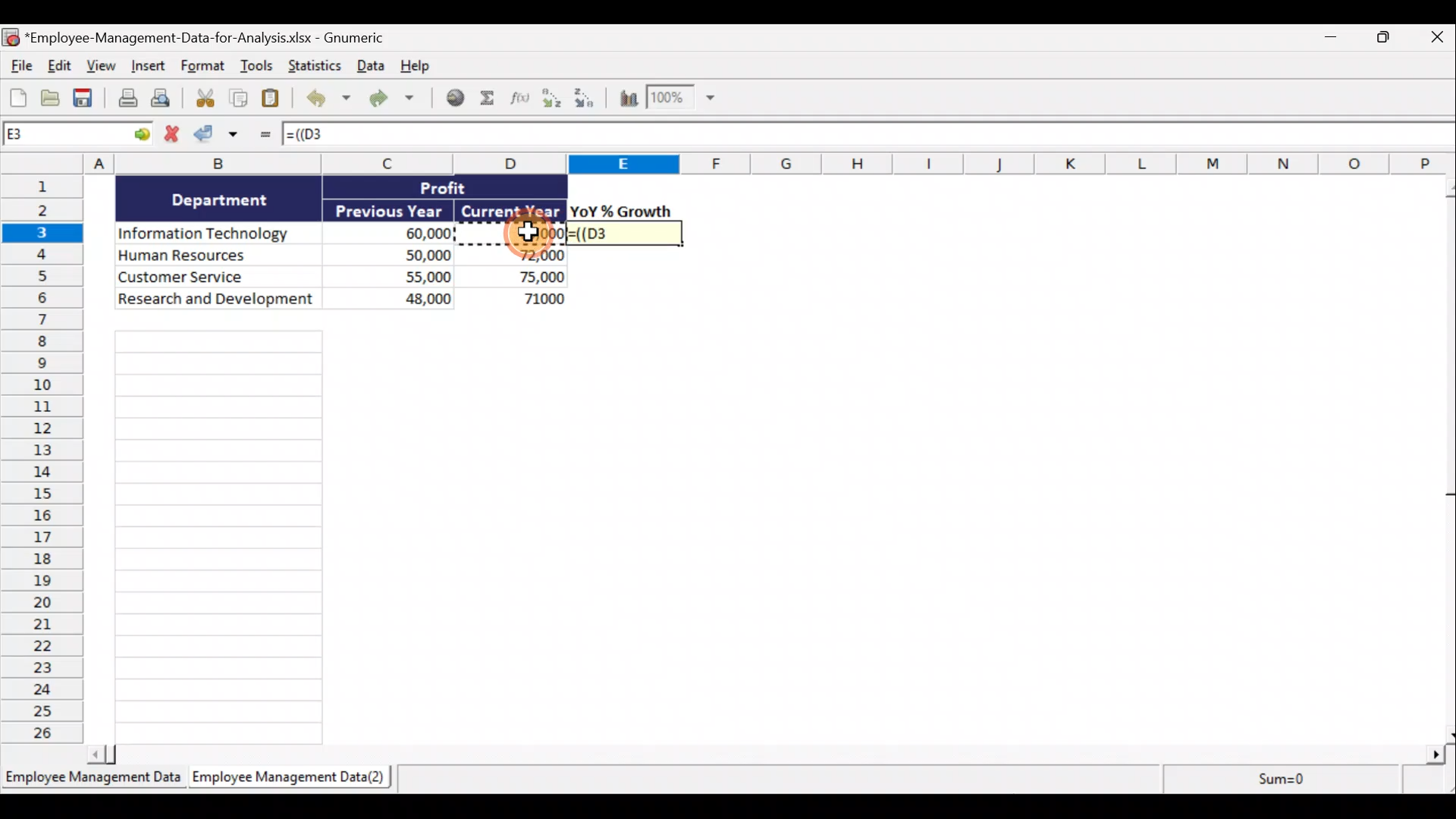 Image resolution: width=1456 pixels, height=819 pixels. I want to click on Format, so click(204, 67).